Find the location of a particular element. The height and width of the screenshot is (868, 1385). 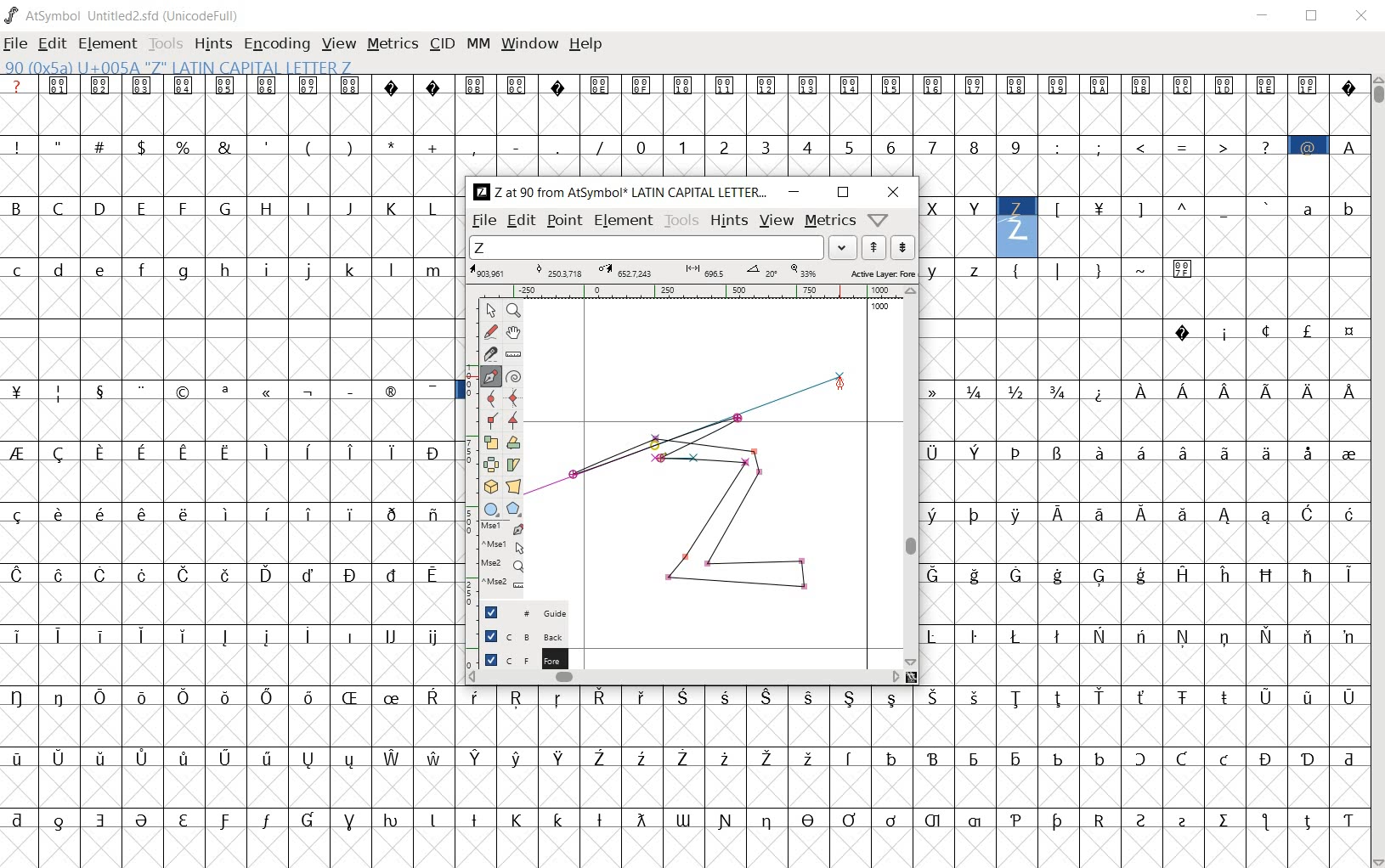

tools is located at coordinates (682, 221).